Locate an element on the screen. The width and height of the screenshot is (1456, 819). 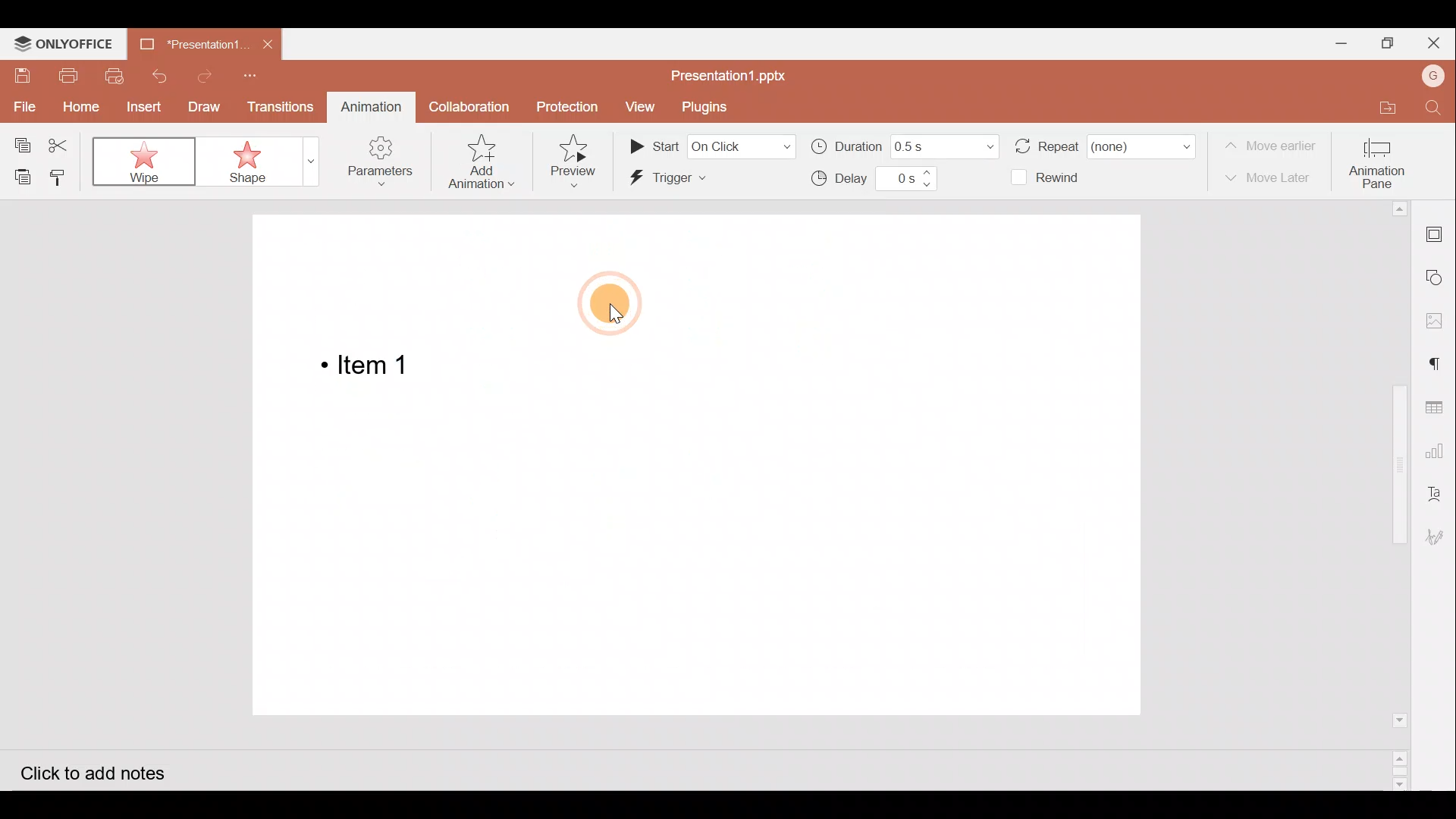
Image settings is located at coordinates (1442, 320).